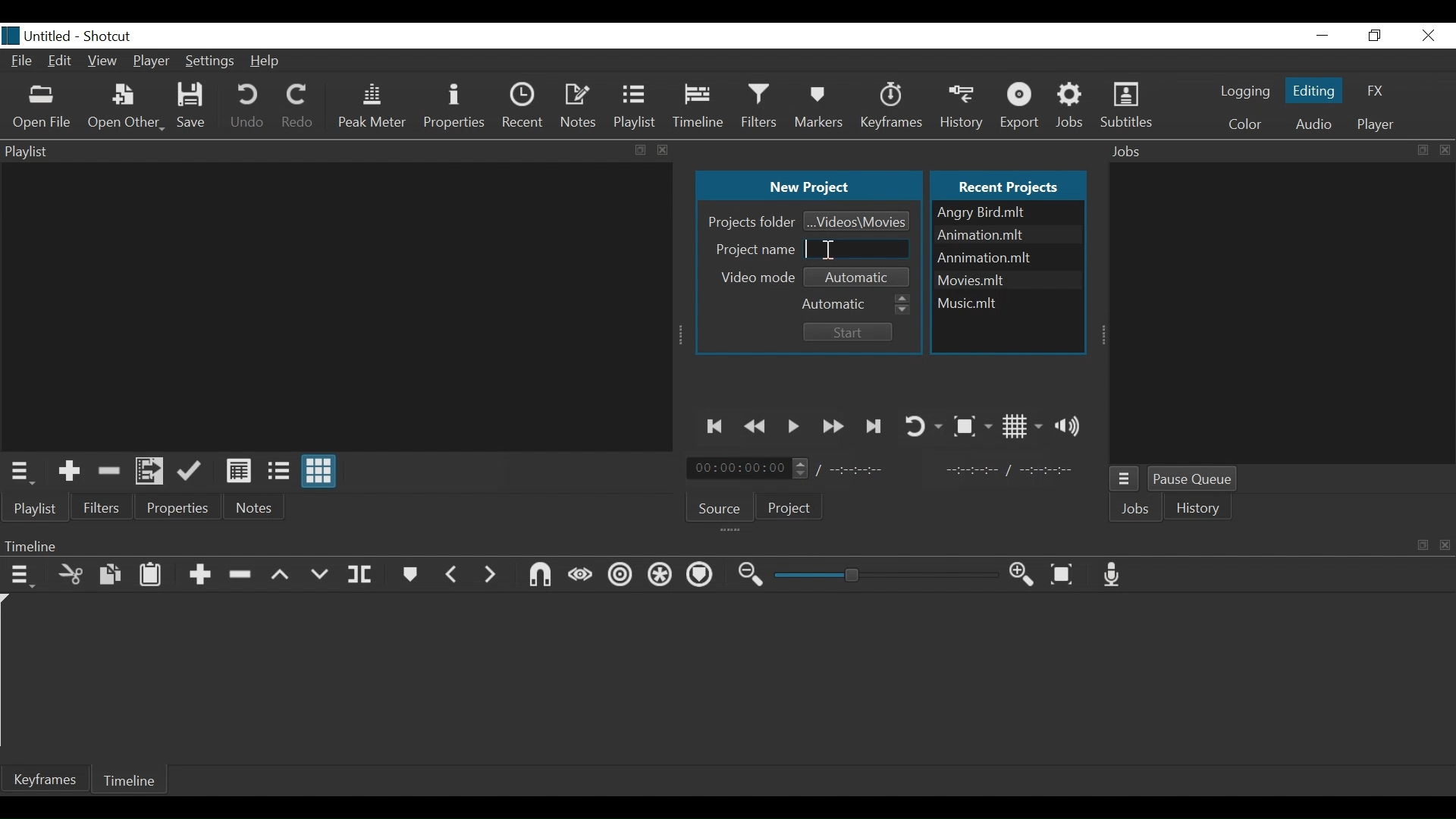 The image size is (1456, 819). Describe the element at coordinates (243, 575) in the screenshot. I see `Ripple delete` at that location.